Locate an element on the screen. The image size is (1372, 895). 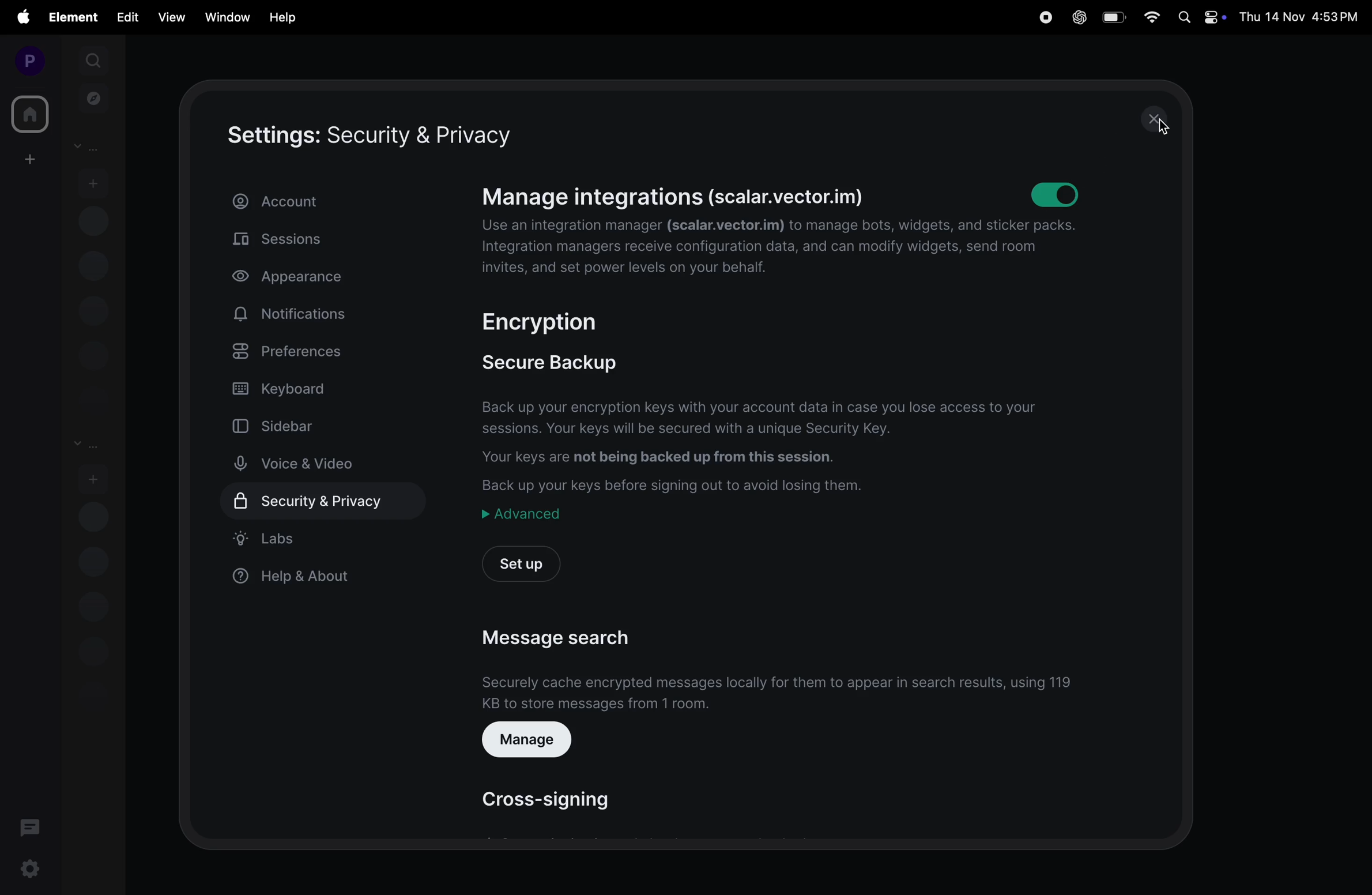
search is located at coordinates (93, 61).